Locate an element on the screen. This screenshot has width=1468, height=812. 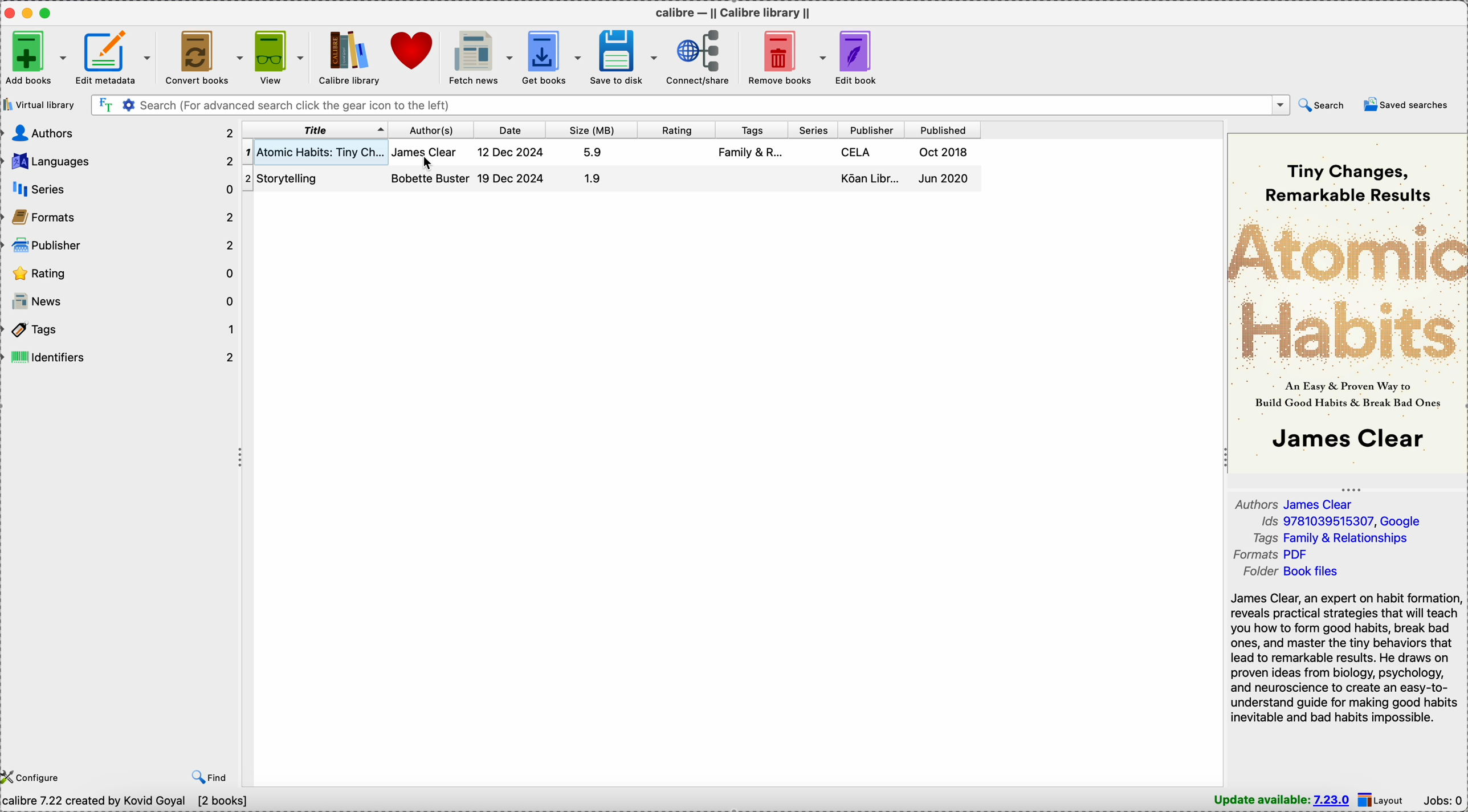
convert books is located at coordinates (203, 57).